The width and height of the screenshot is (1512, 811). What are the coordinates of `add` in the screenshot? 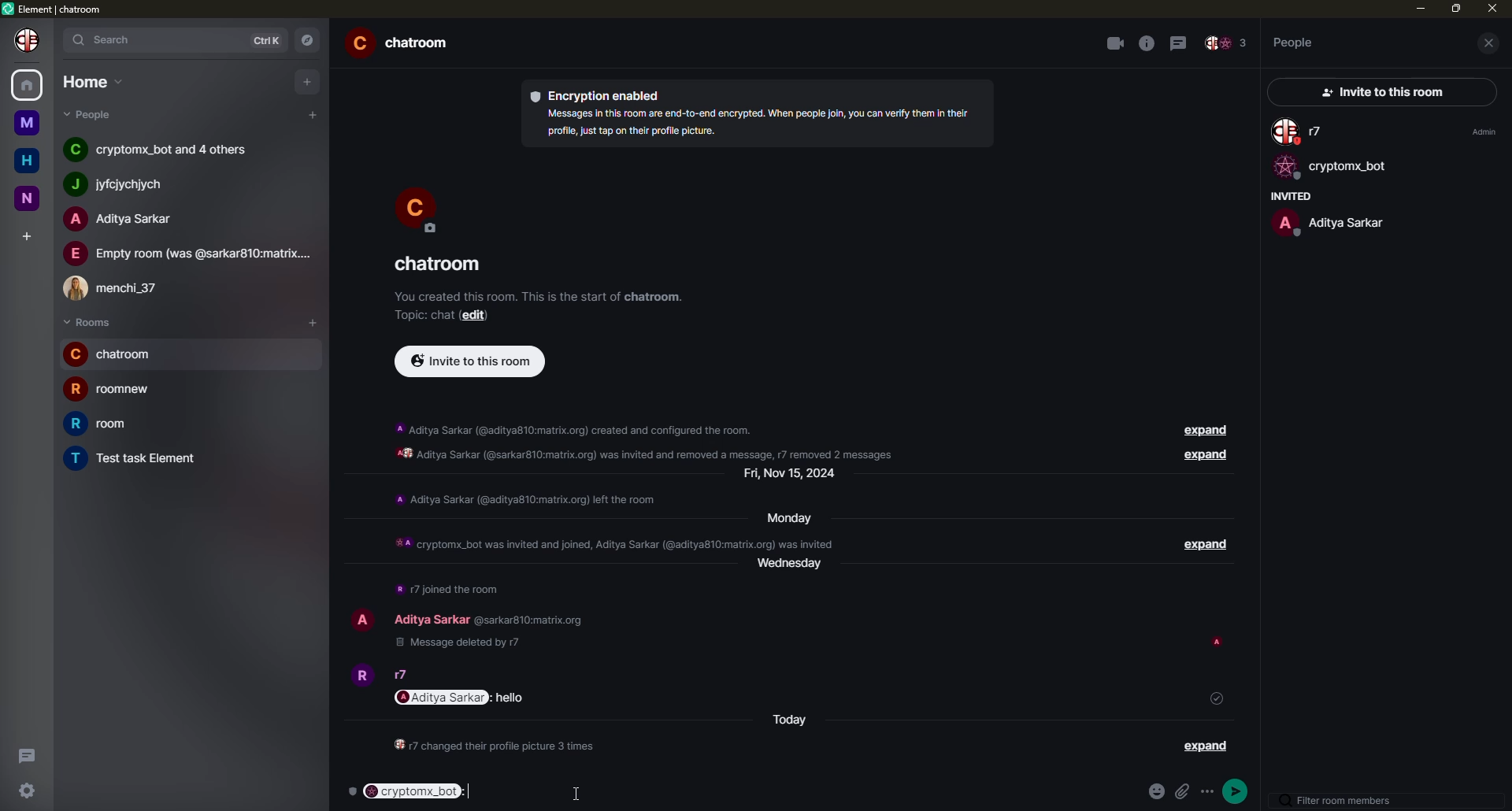 It's located at (313, 114).